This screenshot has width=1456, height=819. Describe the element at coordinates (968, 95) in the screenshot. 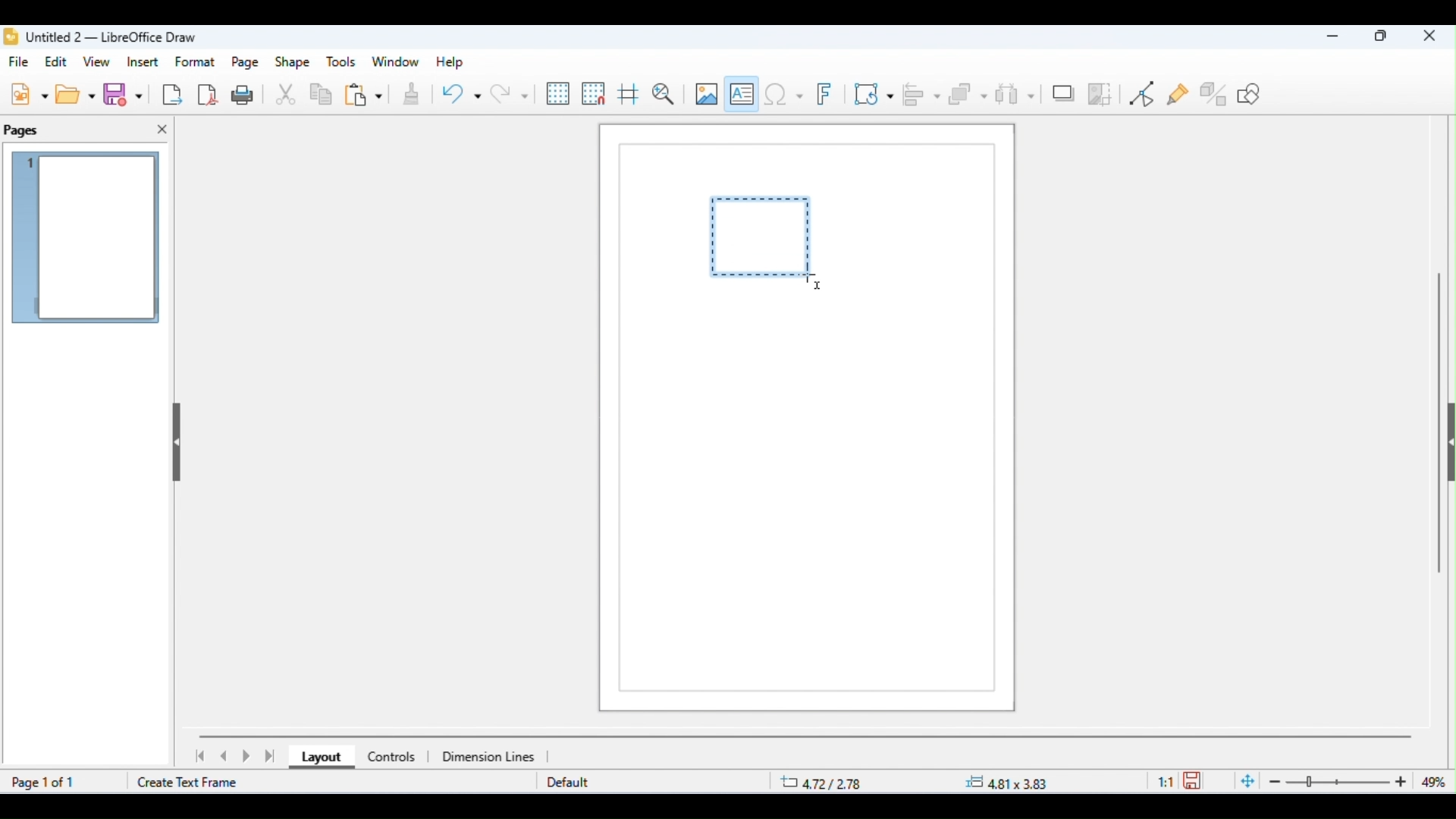

I see `arrange` at that location.